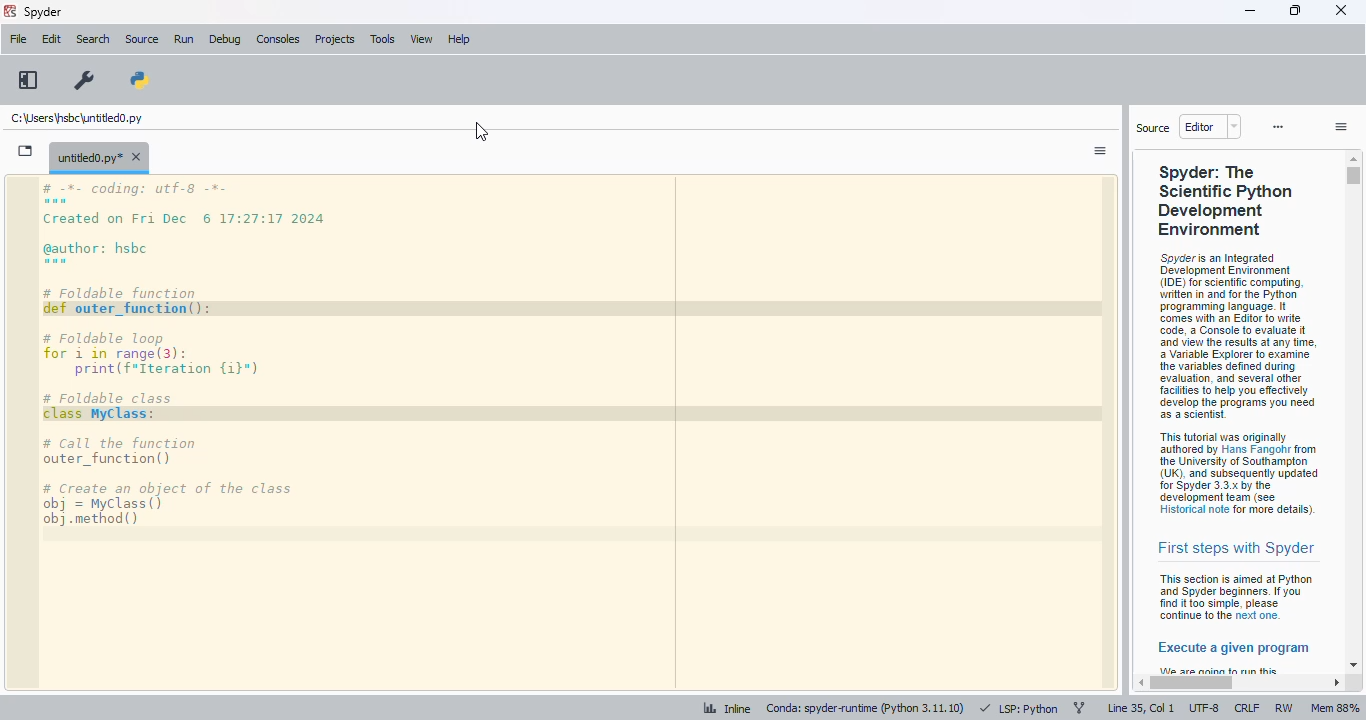  What do you see at coordinates (727, 708) in the screenshot?
I see `inline` at bounding box center [727, 708].